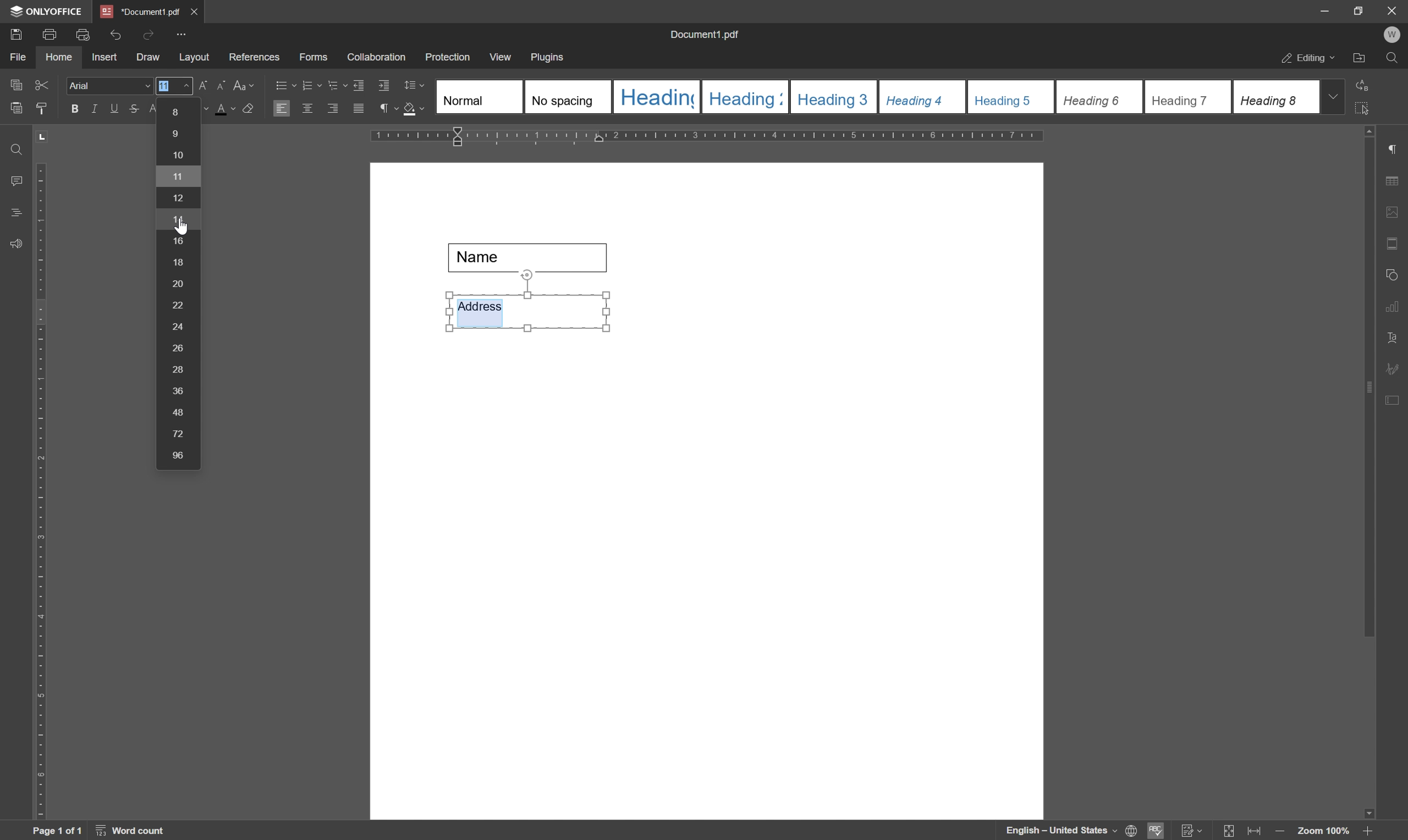 Image resolution: width=1408 pixels, height=840 pixels. Describe the element at coordinates (876, 96) in the screenshot. I see `Type of headings` at that location.